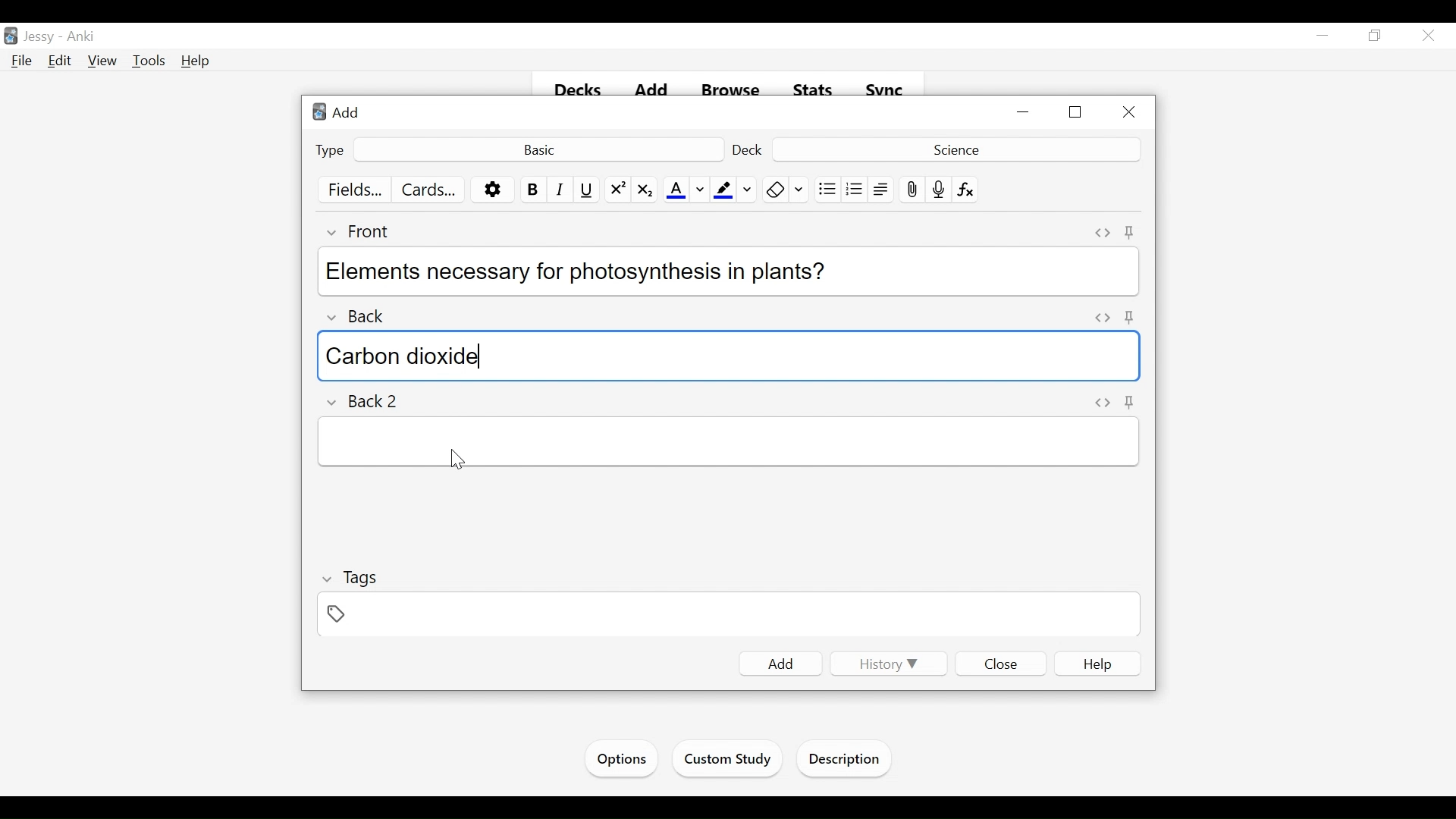 The height and width of the screenshot is (819, 1456). I want to click on Superscript, so click(618, 190).